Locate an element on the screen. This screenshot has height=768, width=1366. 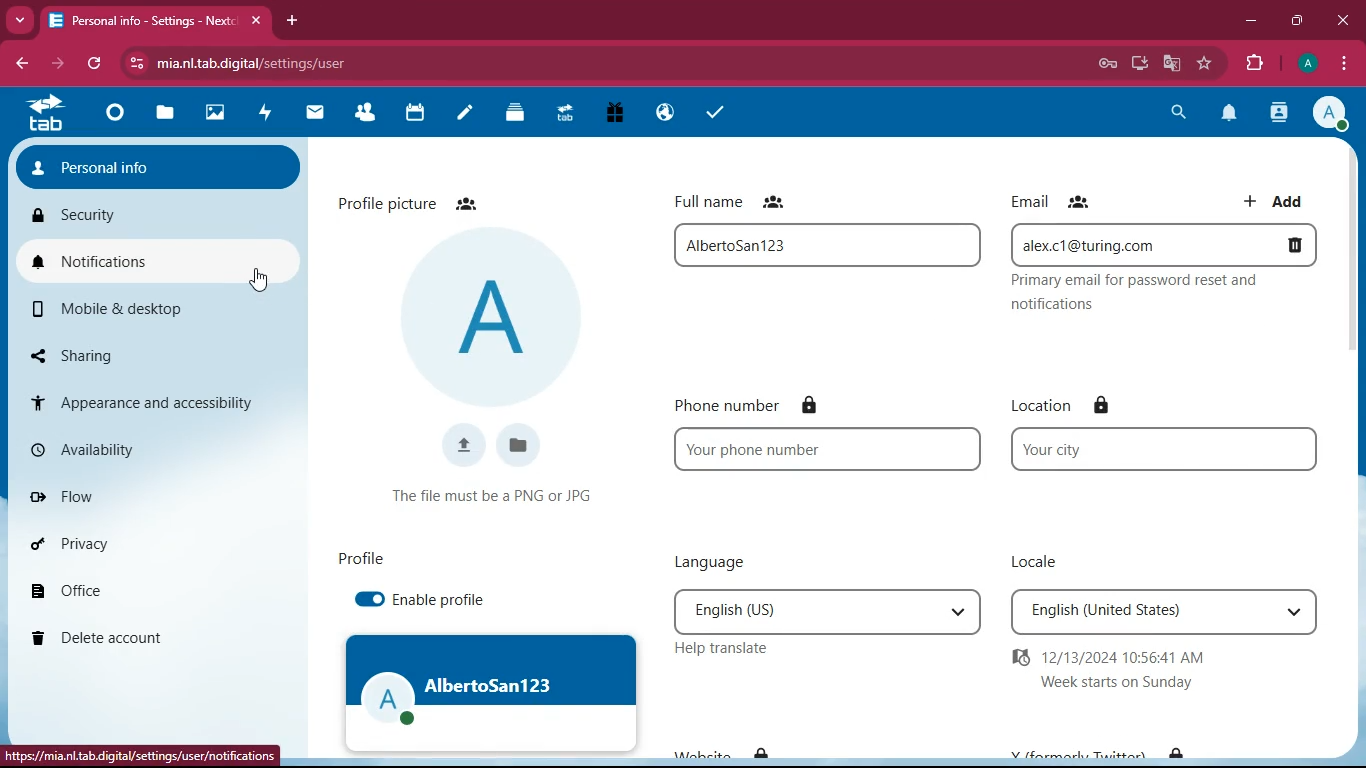
add tab is located at coordinates (293, 20).